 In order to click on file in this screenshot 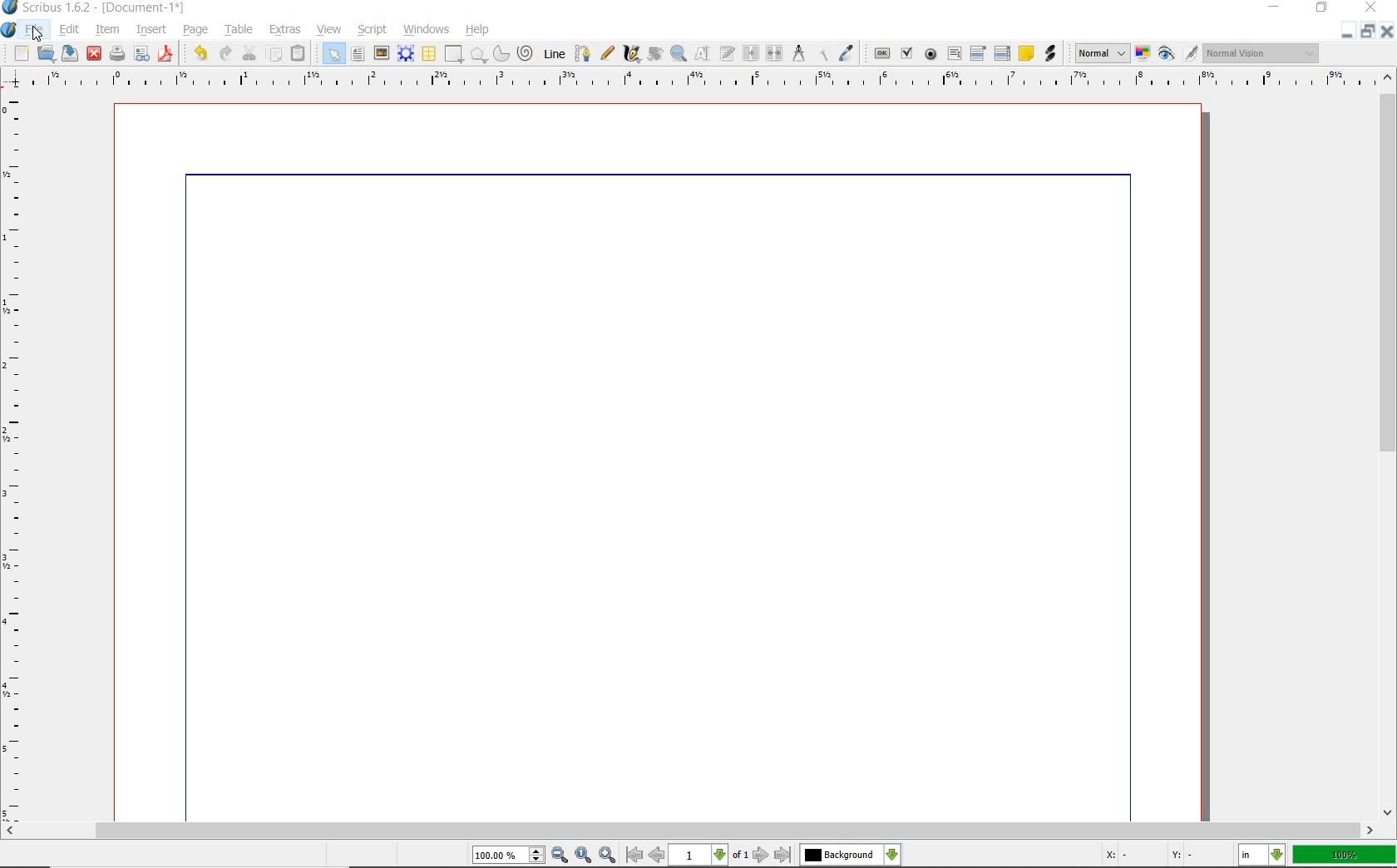, I will do `click(35, 28)`.